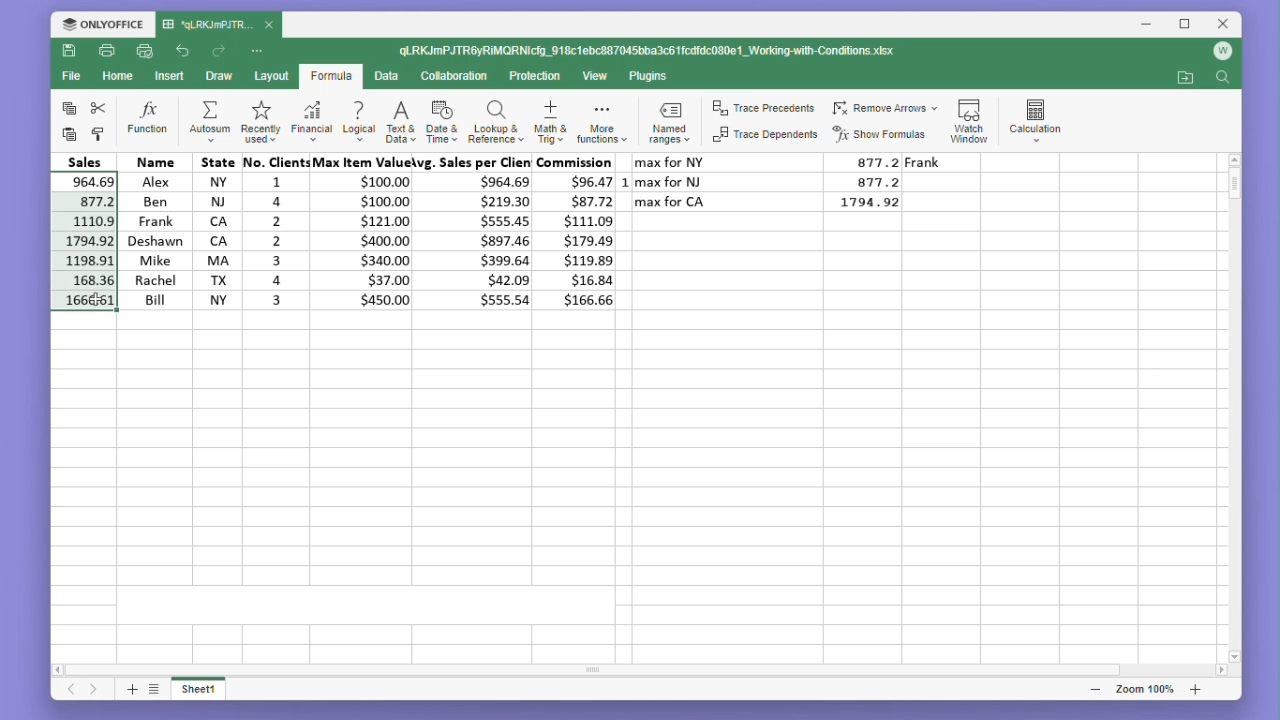  I want to click on View, so click(596, 76).